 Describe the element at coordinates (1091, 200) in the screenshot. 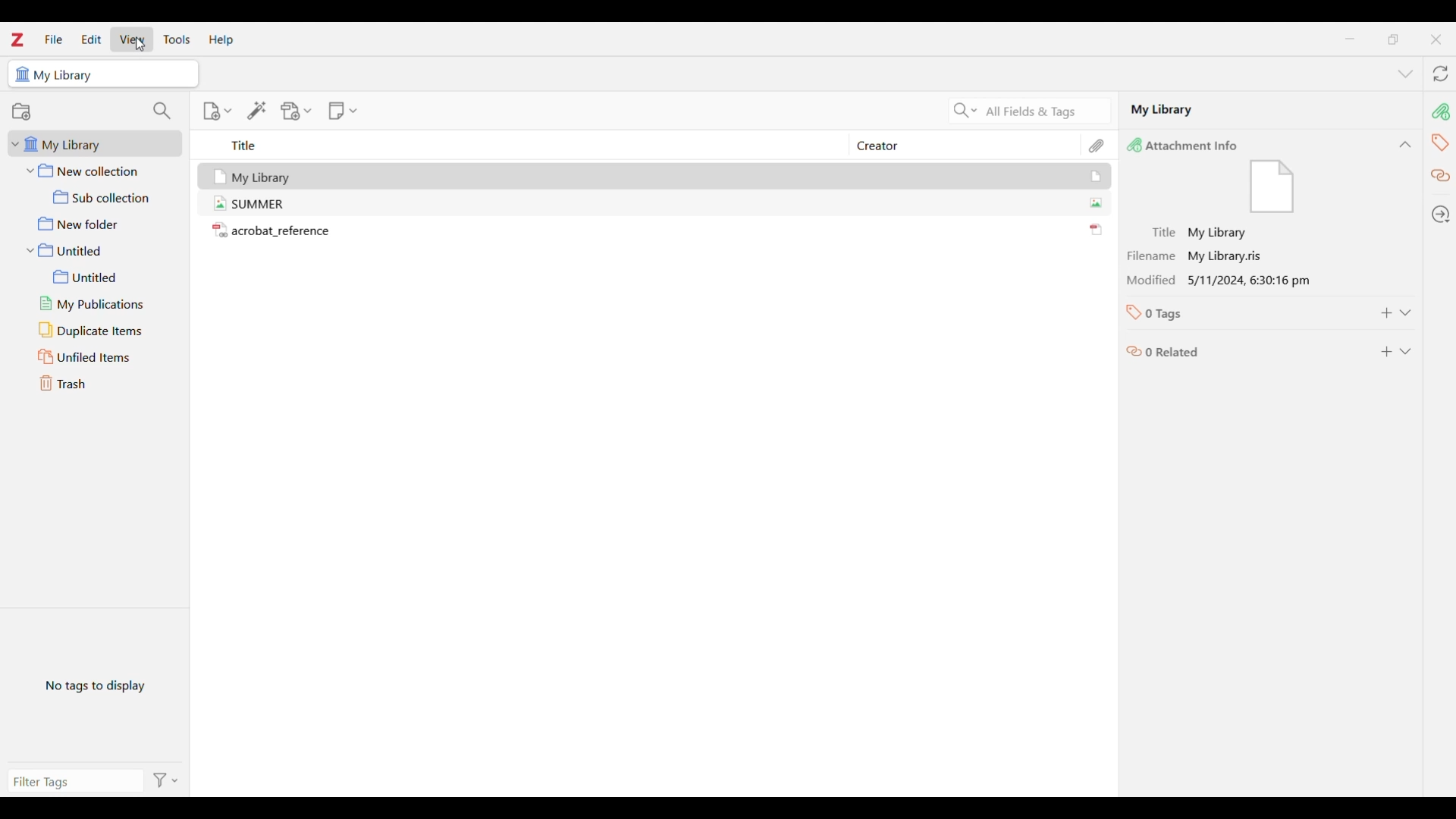

I see `image` at that location.